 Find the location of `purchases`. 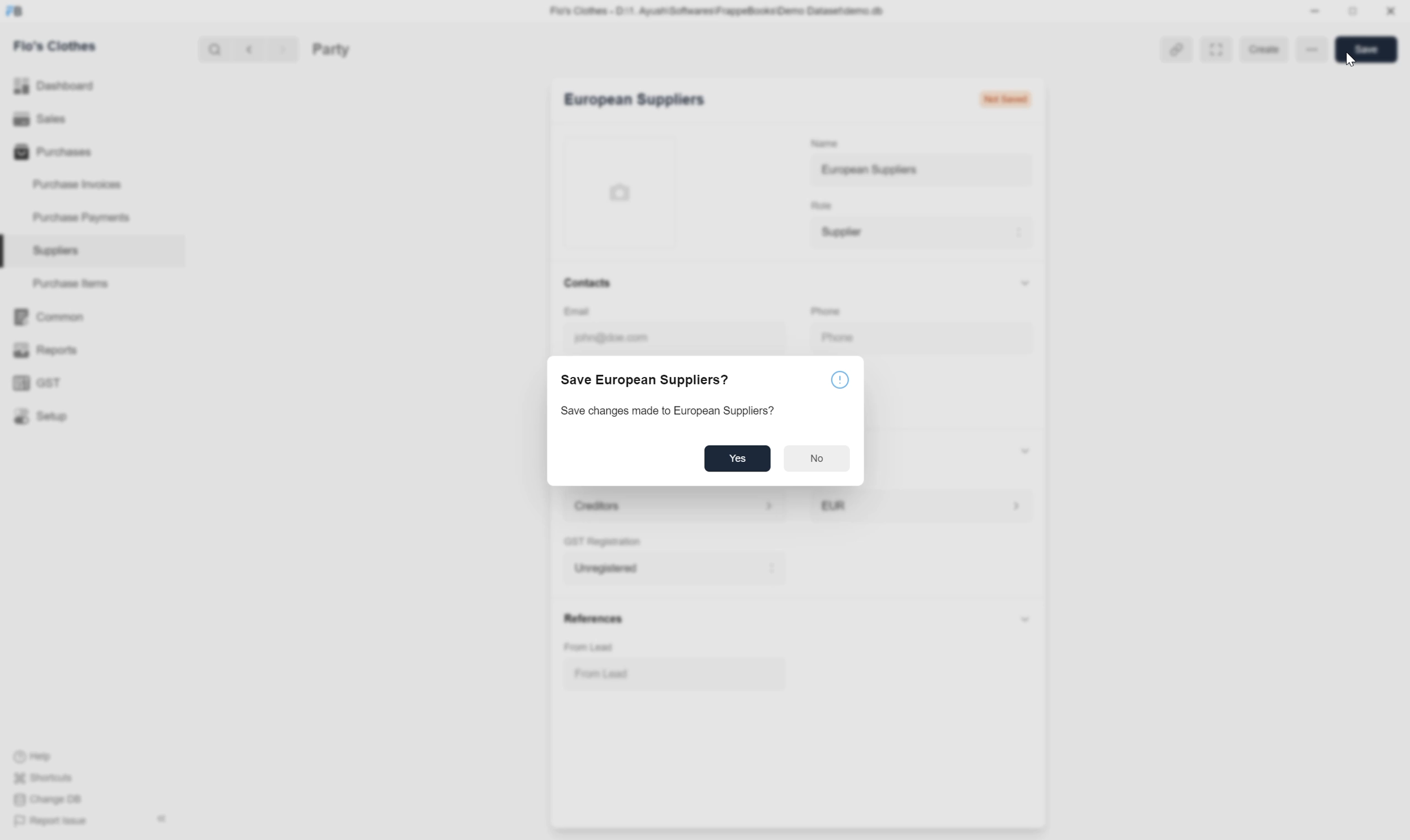

purchases is located at coordinates (50, 153).